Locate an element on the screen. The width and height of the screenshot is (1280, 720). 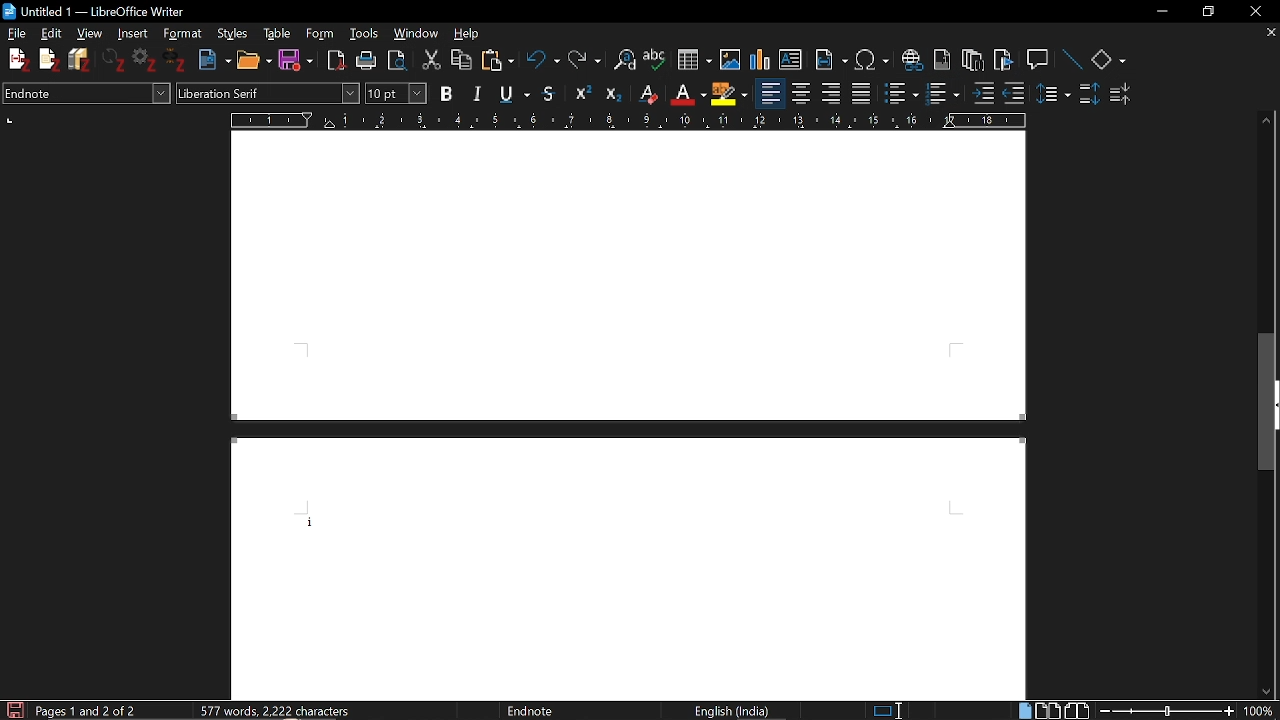
Font style is located at coordinates (268, 94).